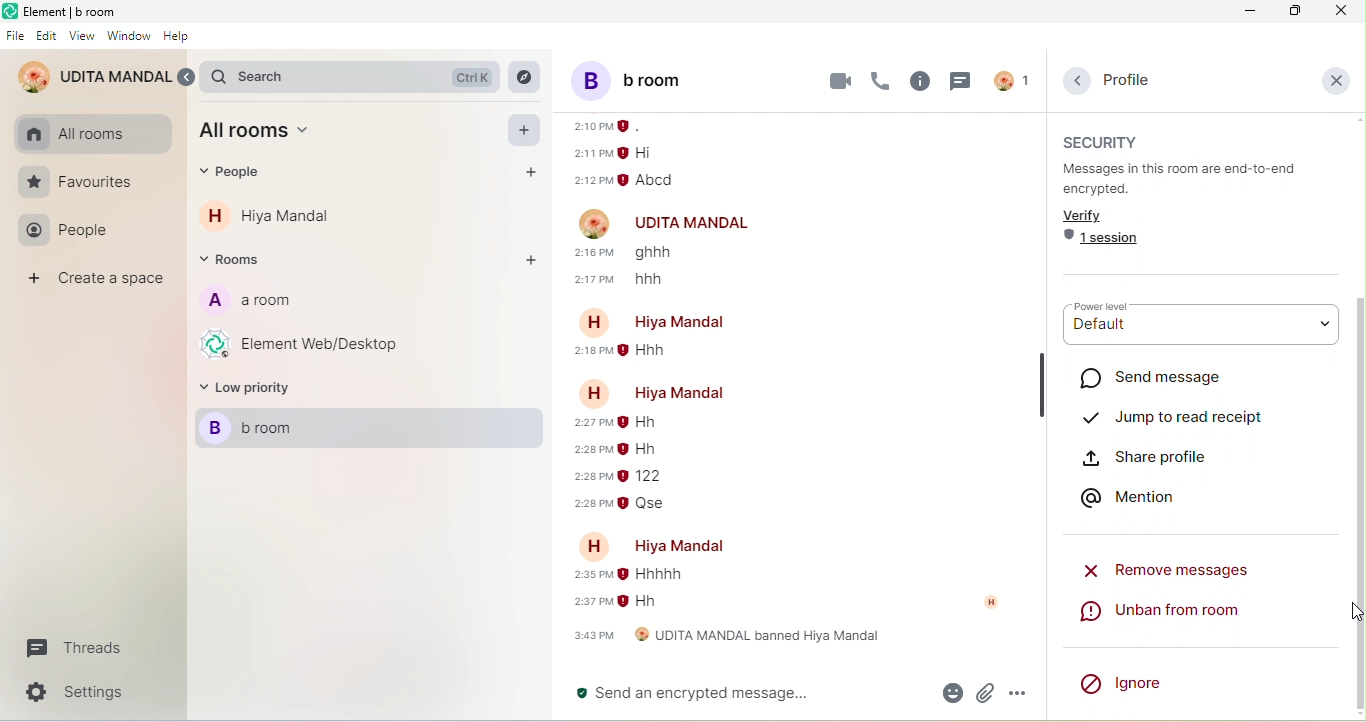  What do you see at coordinates (1137, 496) in the screenshot?
I see `mention` at bounding box center [1137, 496].